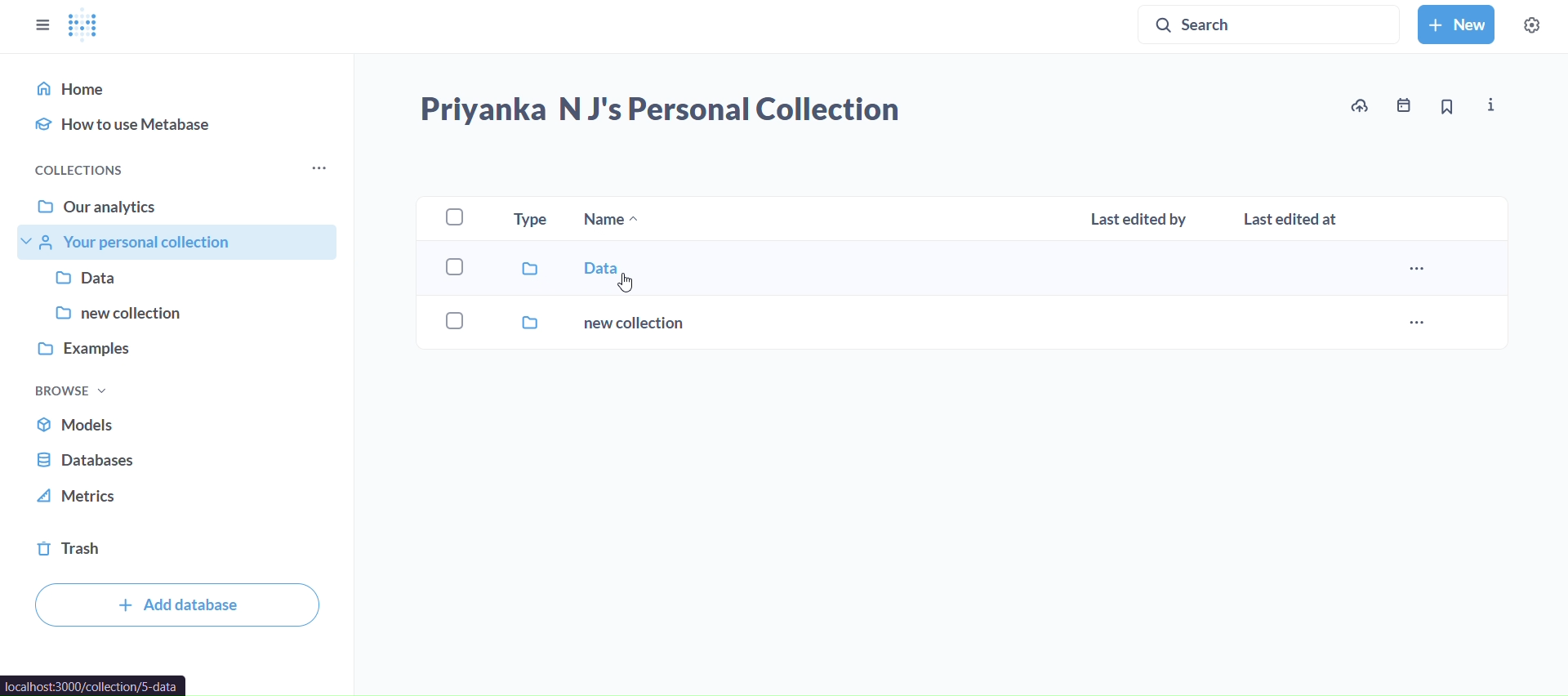 This screenshot has height=696, width=1568. What do you see at coordinates (1421, 270) in the screenshot?
I see `more` at bounding box center [1421, 270].